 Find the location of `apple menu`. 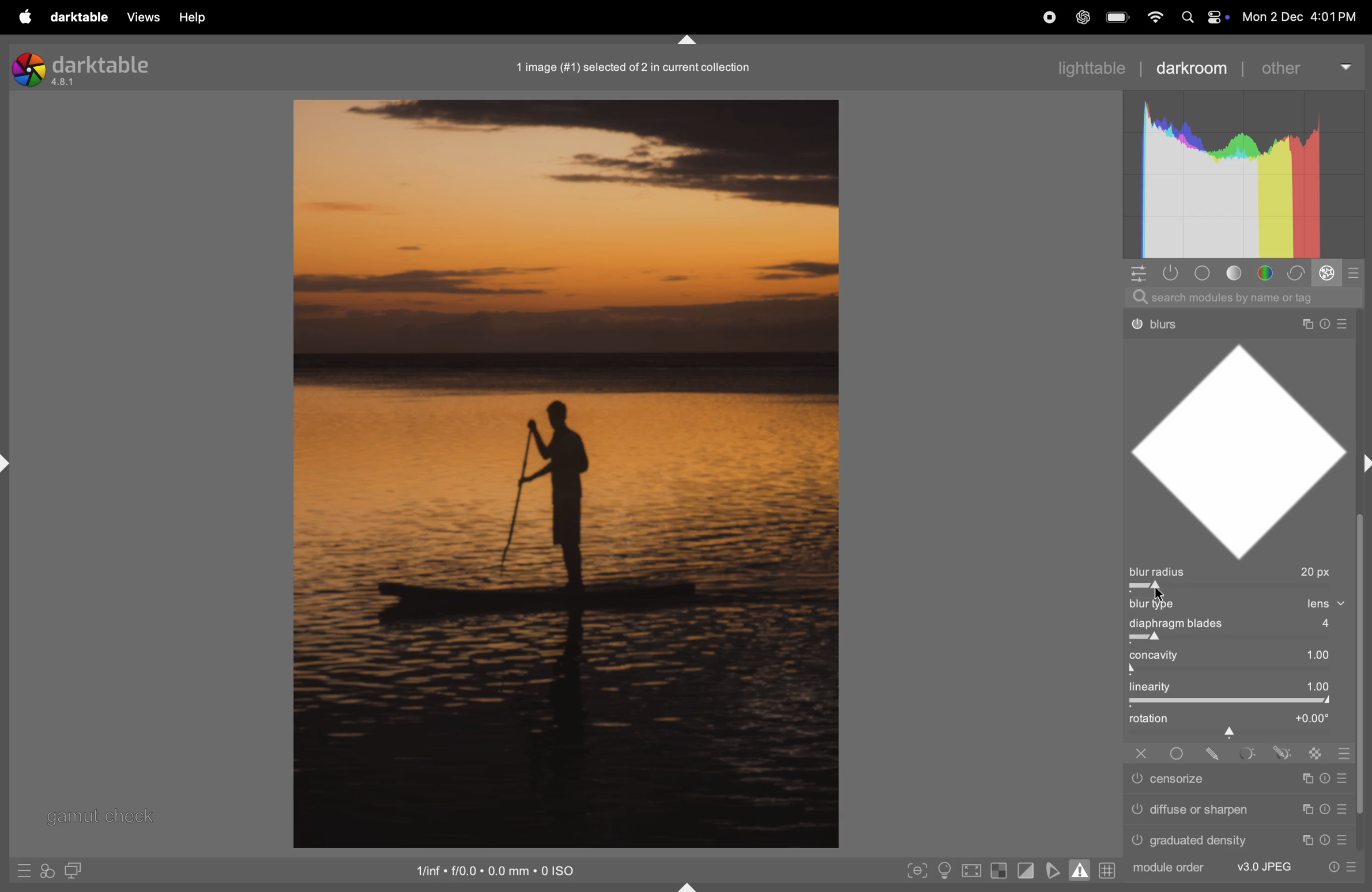

apple menu is located at coordinates (27, 17).